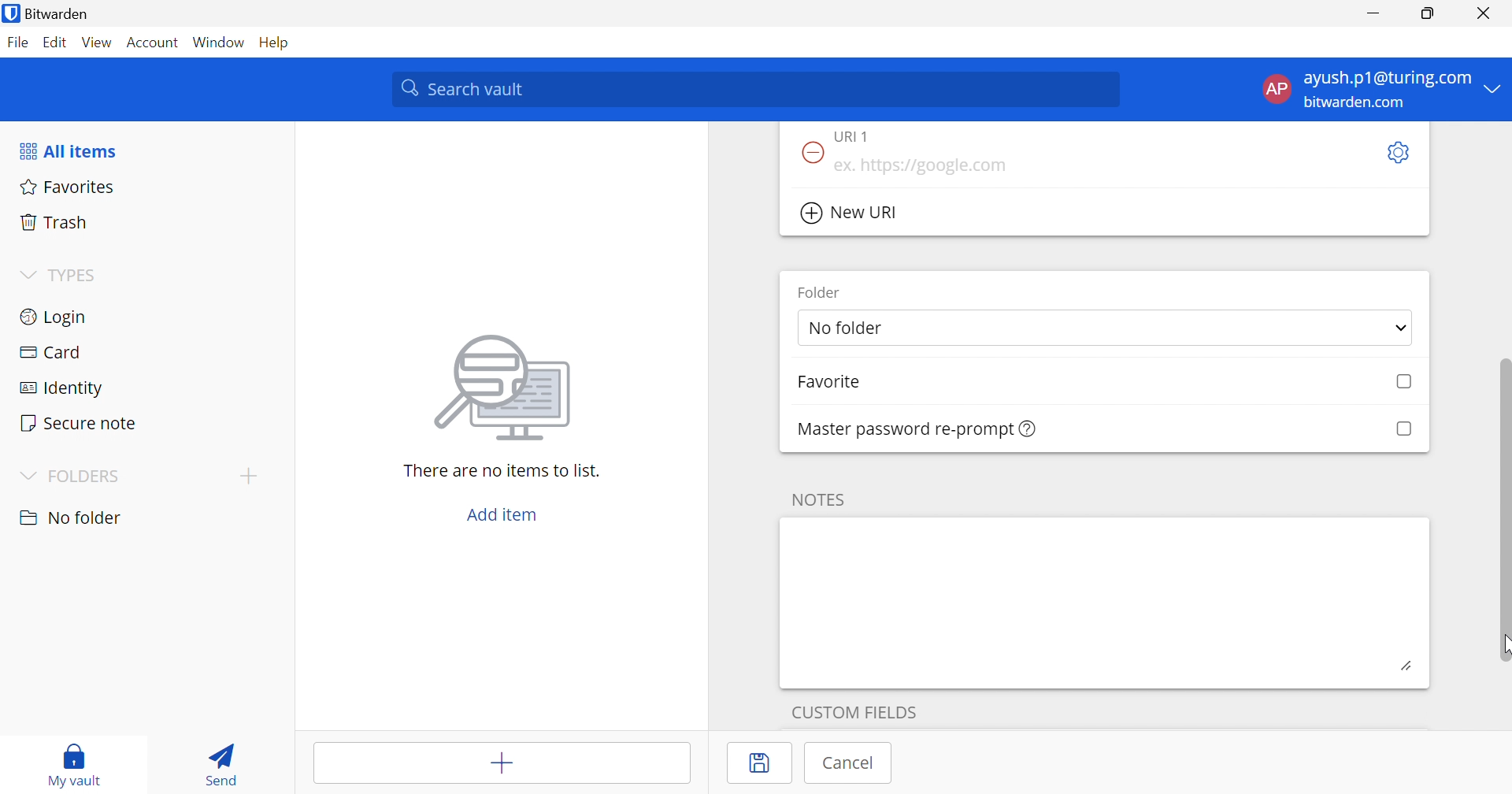  I want to click on Drop Down, so click(27, 276).